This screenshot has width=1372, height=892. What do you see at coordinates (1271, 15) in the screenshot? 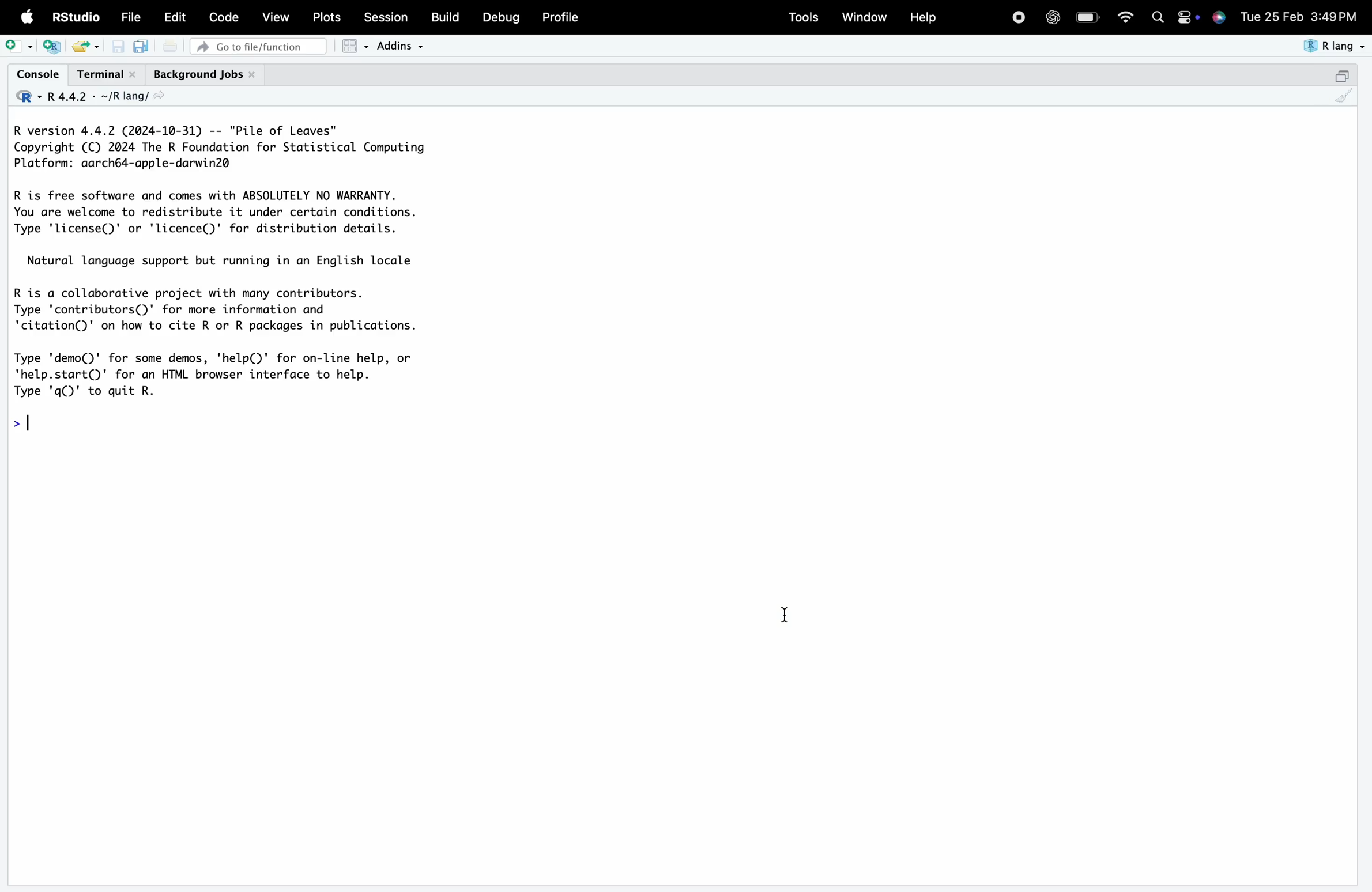
I see `Tue 25 Feb` at bounding box center [1271, 15].